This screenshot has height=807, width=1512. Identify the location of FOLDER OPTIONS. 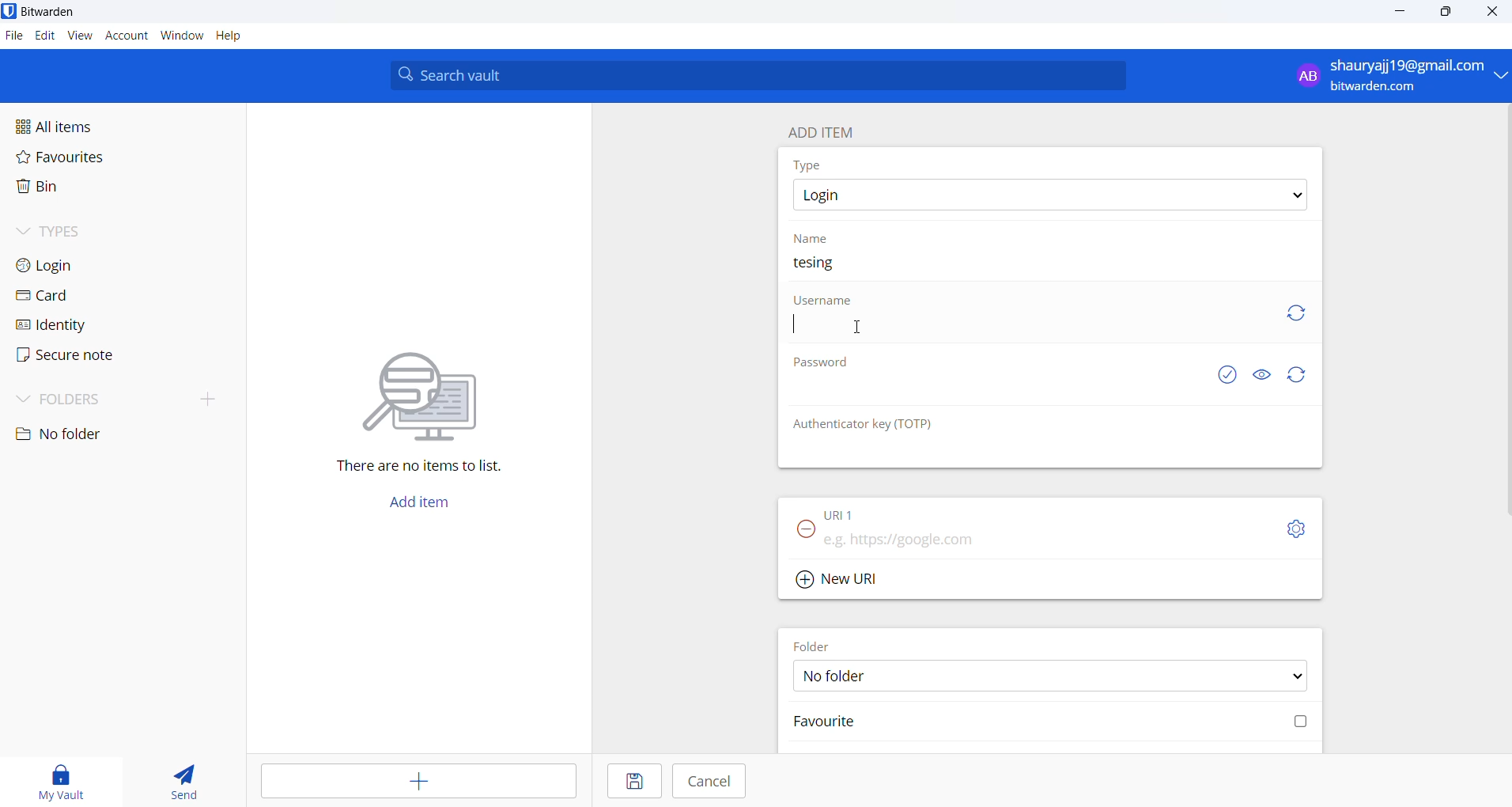
(1057, 675).